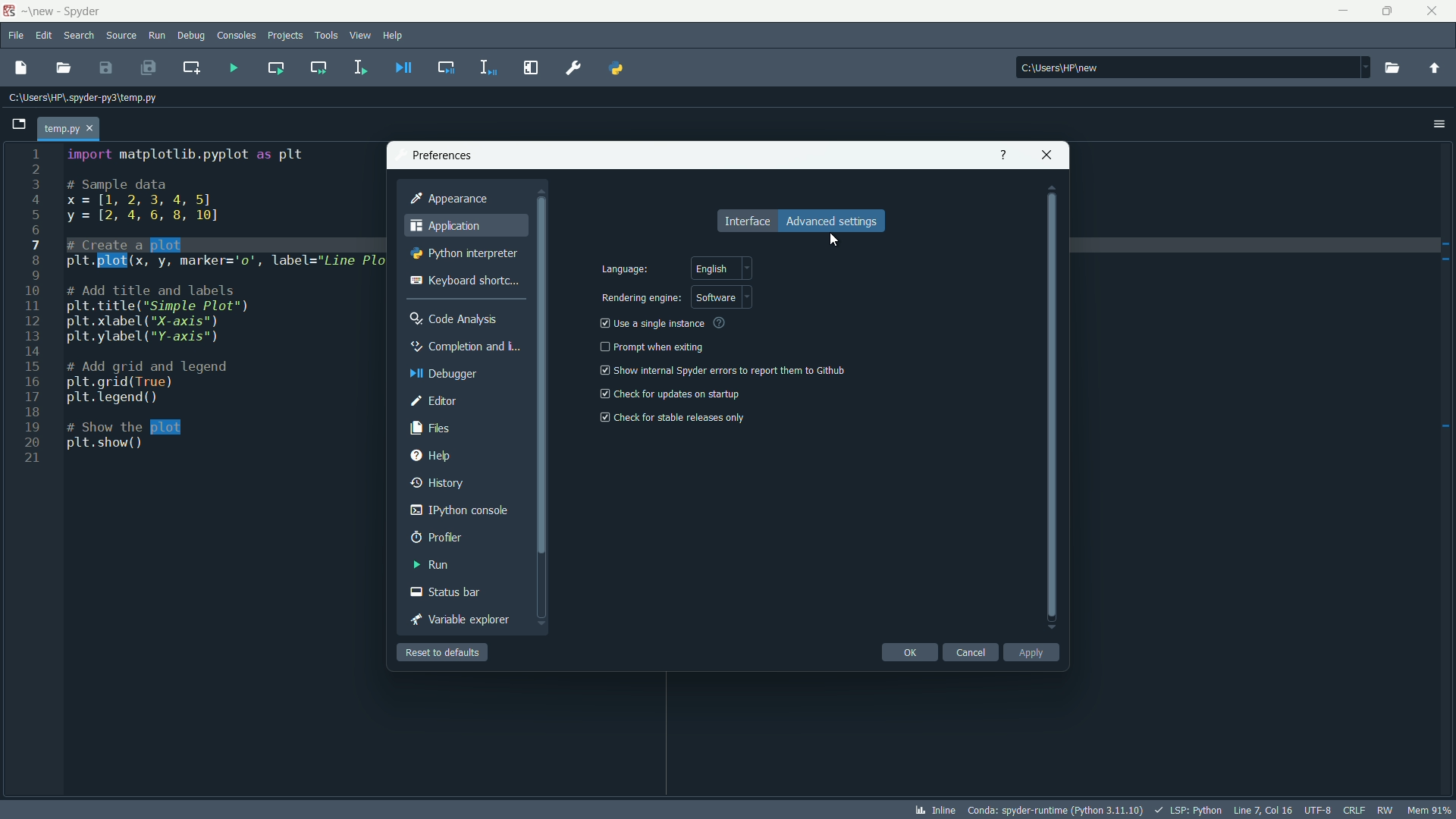 Image resolution: width=1456 pixels, height=819 pixels. Describe the element at coordinates (723, 268) in the screenshot. I see `language dropdown` at that location.